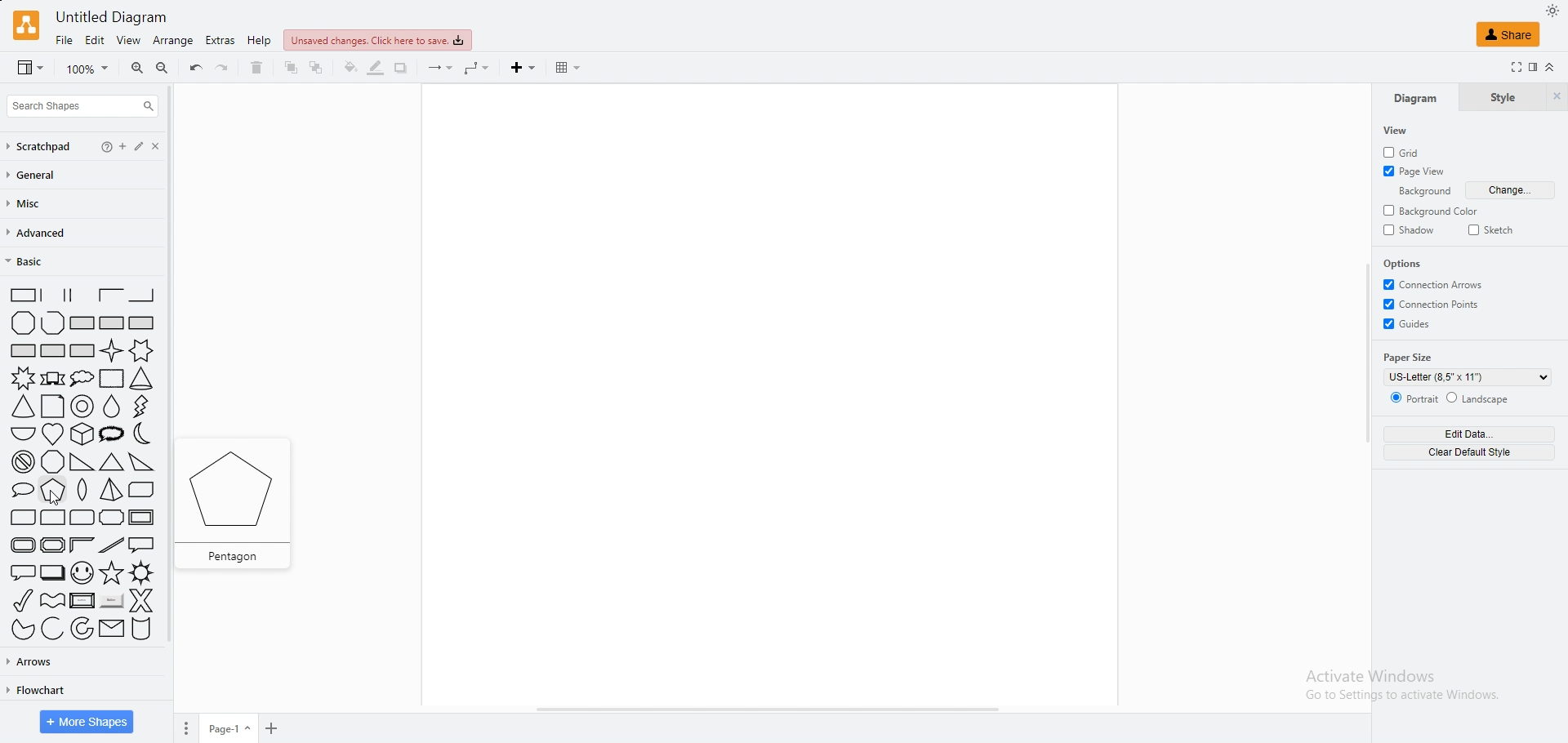 This screenshot has width=1568, height=743. Describe the element at coordinates (257, 68) in the screenshot. I see `delete` at that location.